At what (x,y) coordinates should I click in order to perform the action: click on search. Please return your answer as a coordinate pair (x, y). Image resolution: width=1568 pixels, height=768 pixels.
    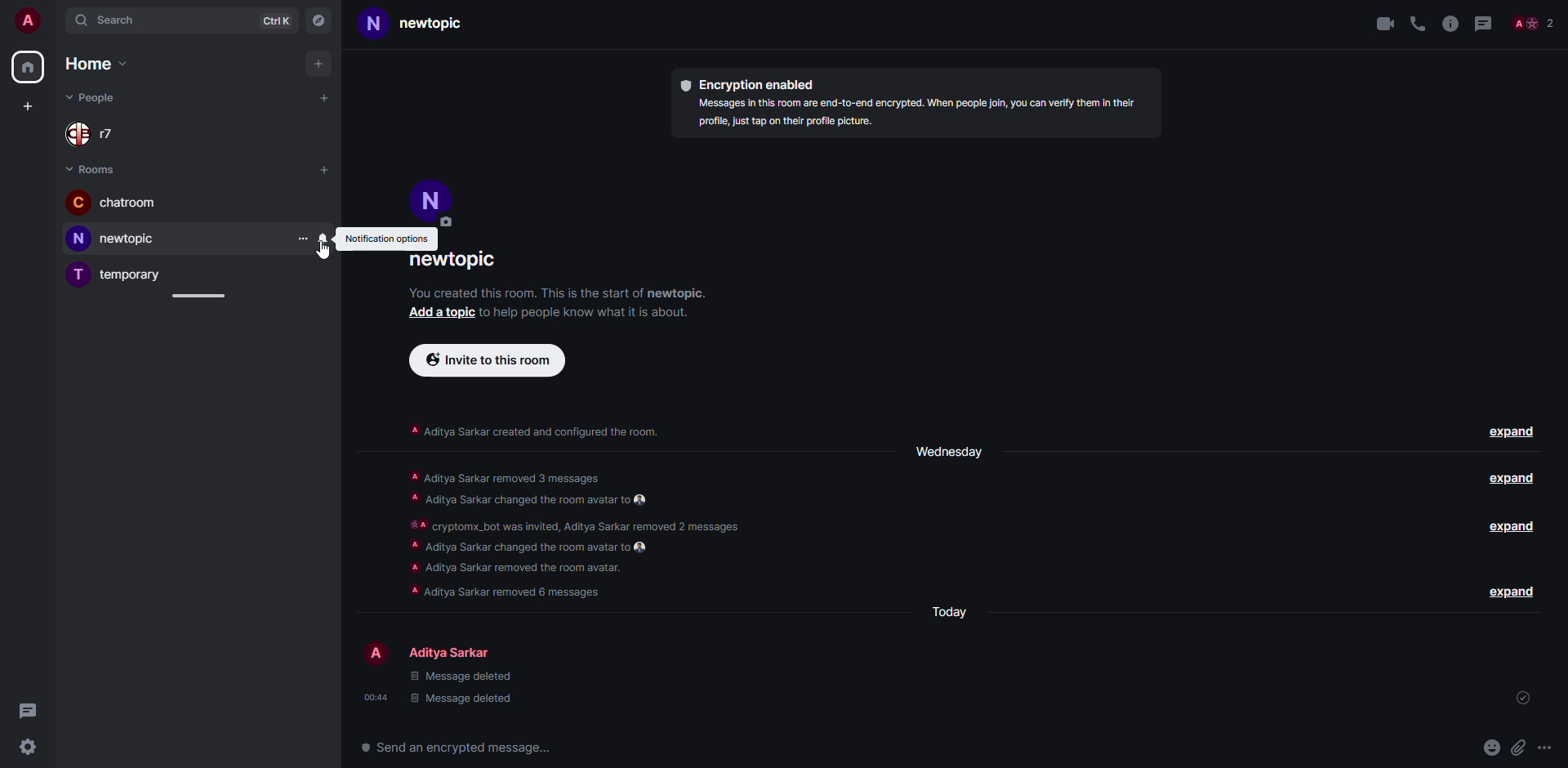
    Looking at the image, I should click on (110, 21).